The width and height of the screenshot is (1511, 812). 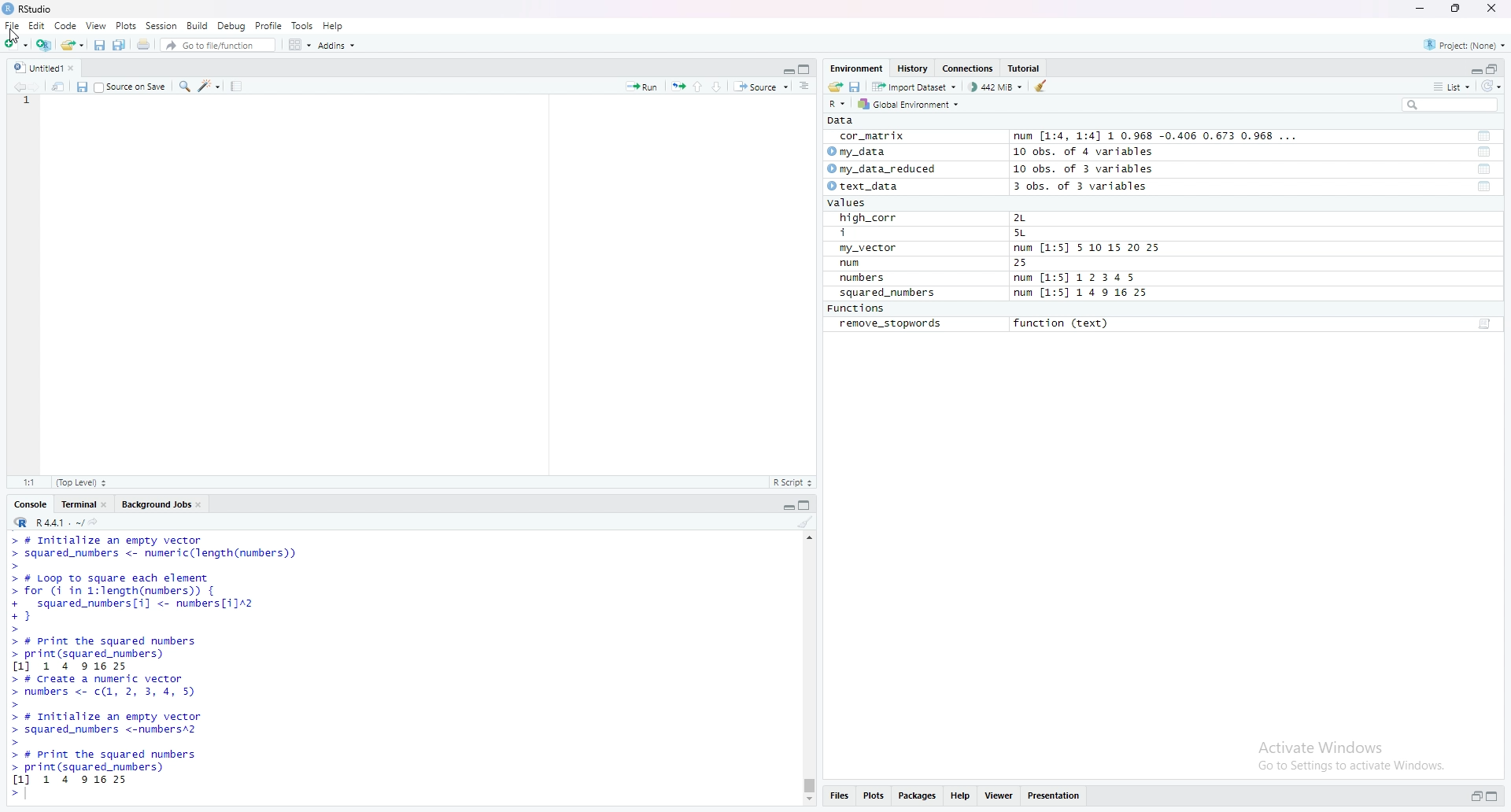 I want to click on Save, so click(x=84, y=87).